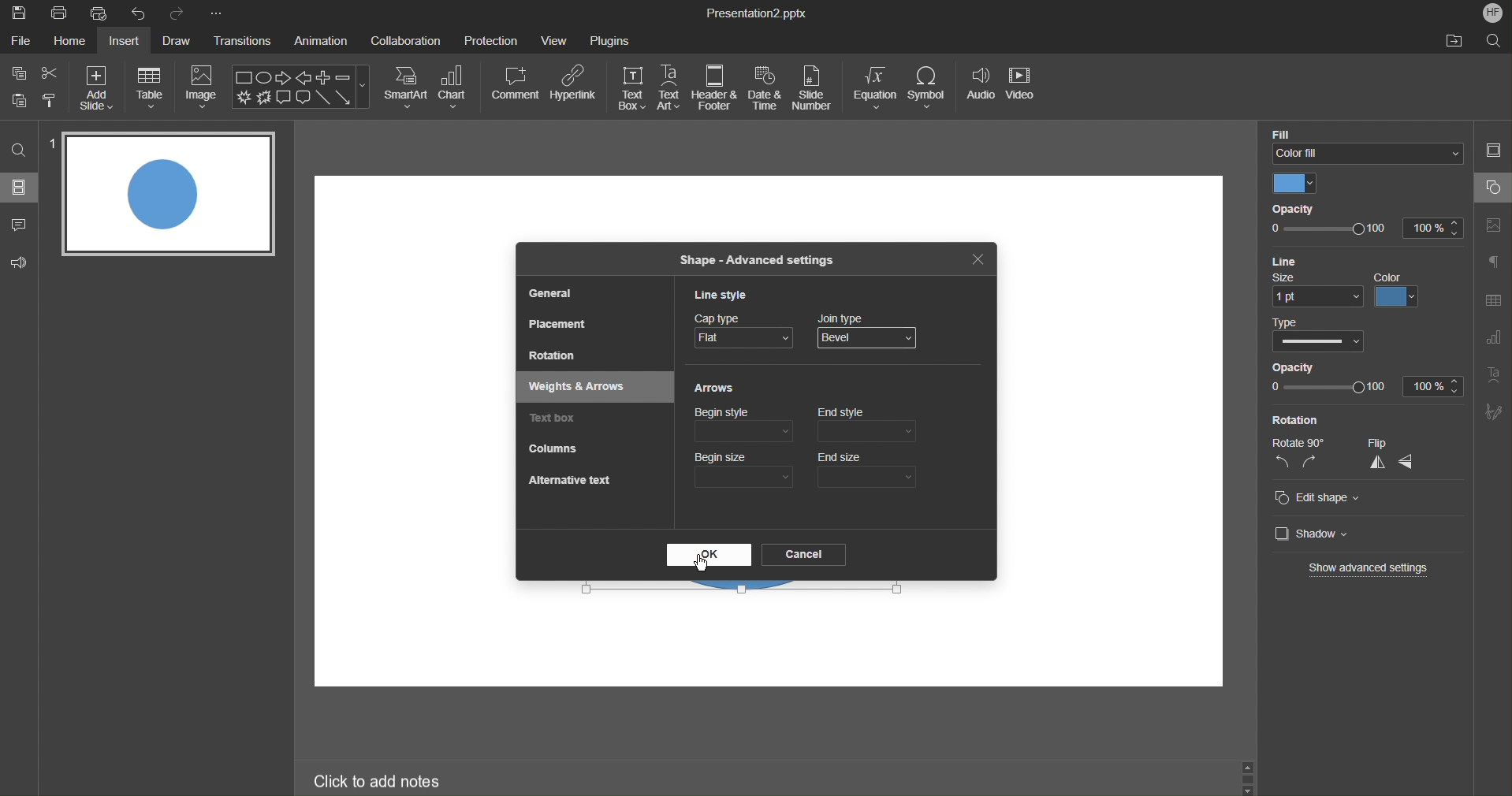 This screenshot has height=796, width=1512. Describe the element at coordinates (726, 296) in the screenshot. I see `Line Style` at that location.